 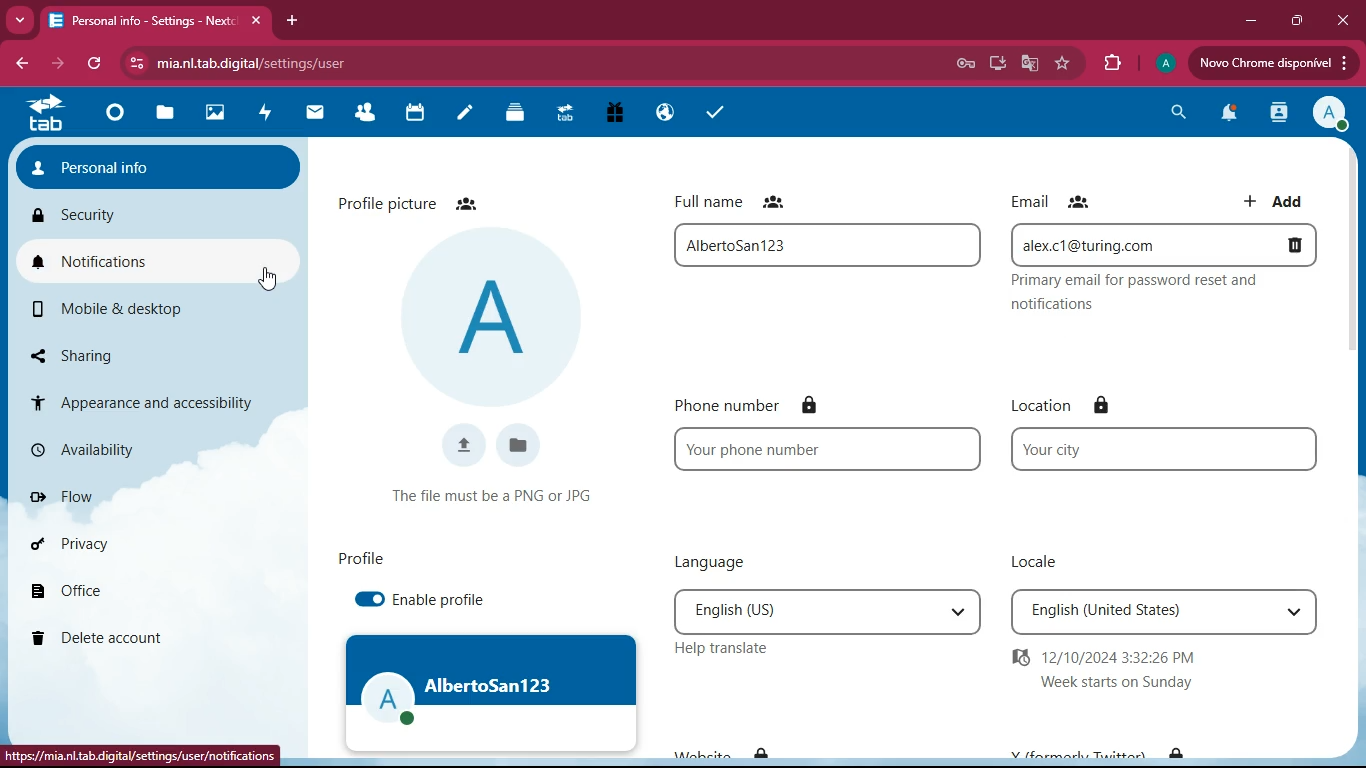 I want to click on phone, so click(x=833, y=448).